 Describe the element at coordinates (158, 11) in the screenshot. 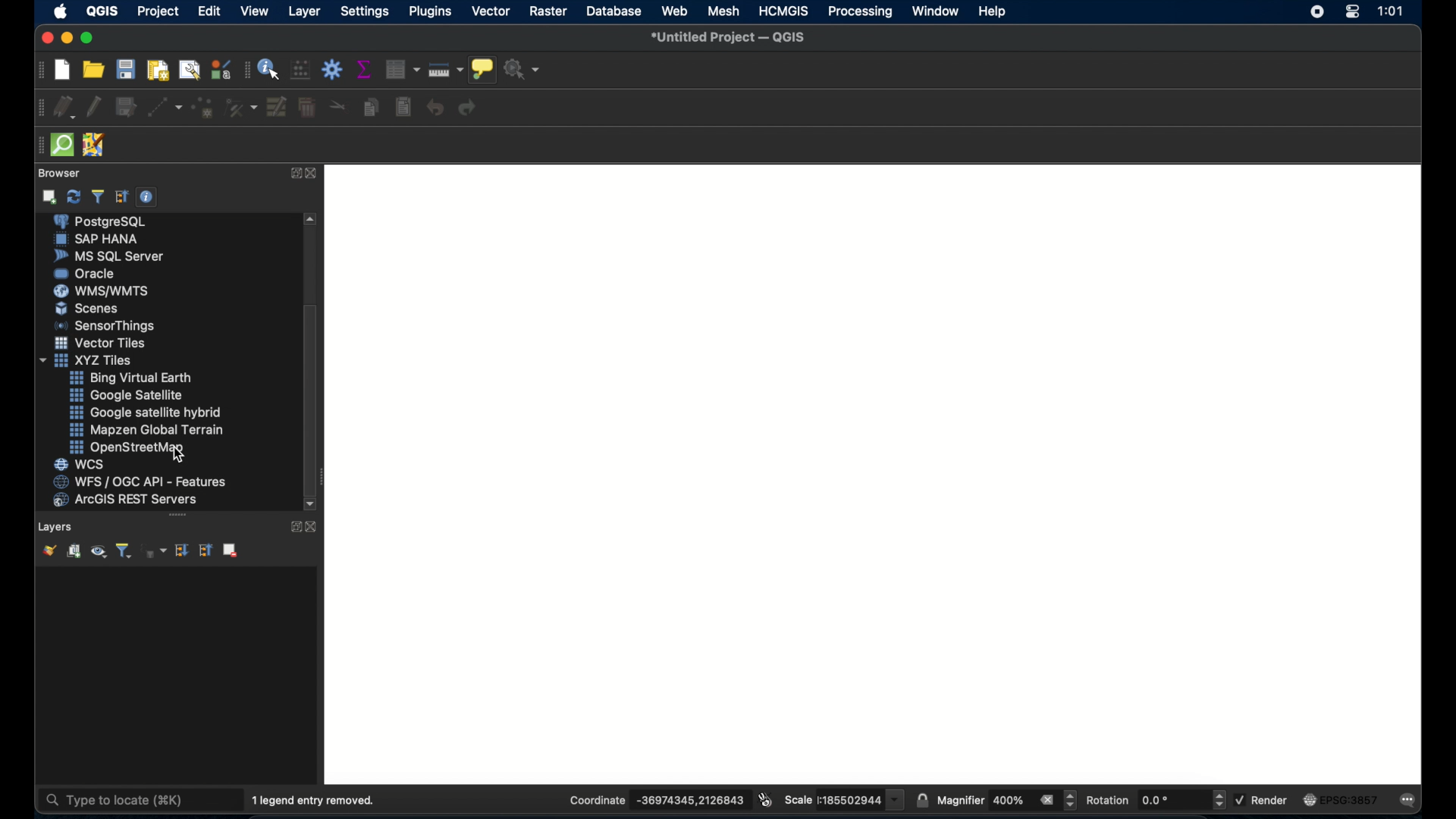

I see `project` at that location.